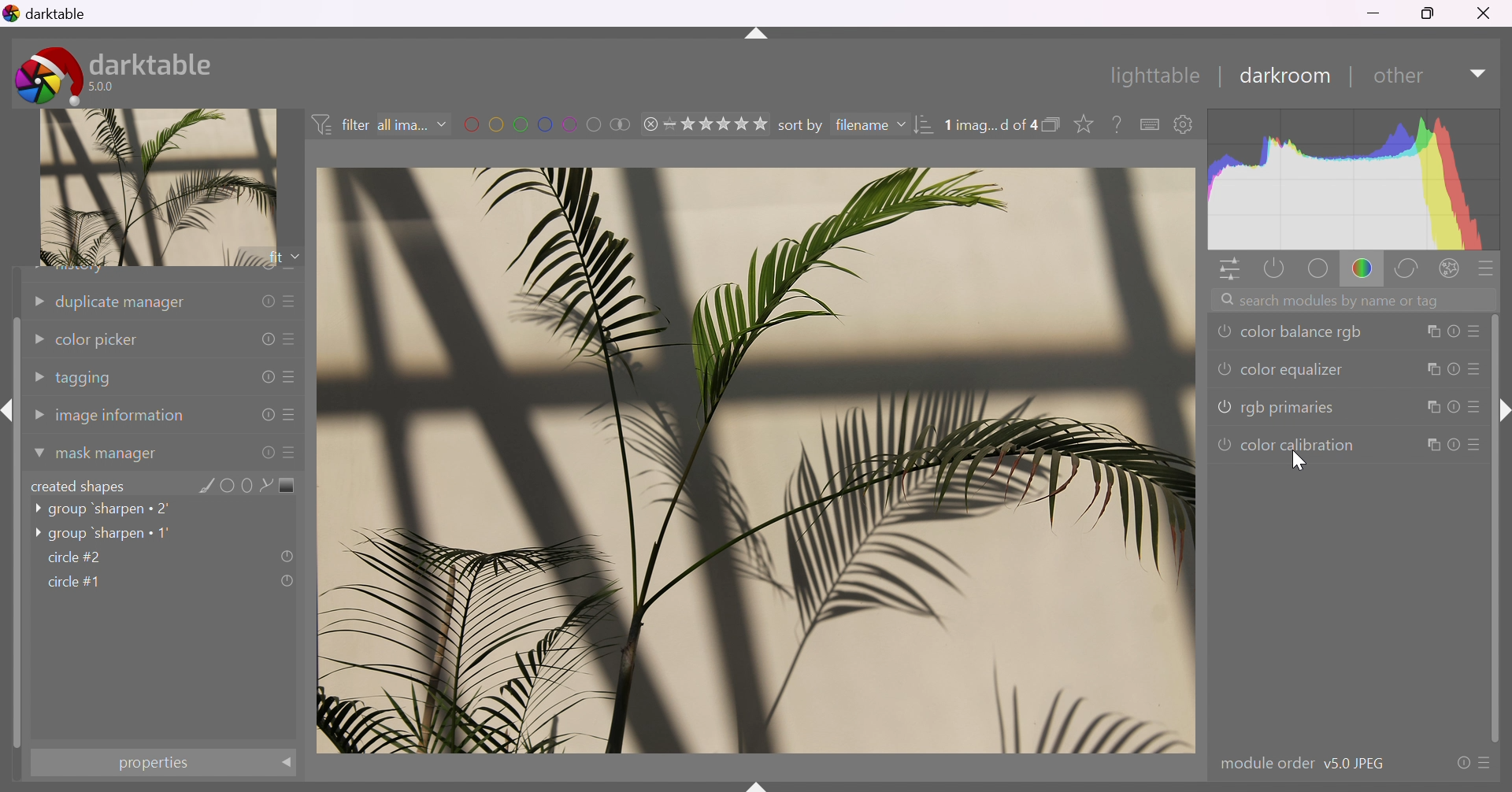  I want to click on darkroom, so click(1284, 78).